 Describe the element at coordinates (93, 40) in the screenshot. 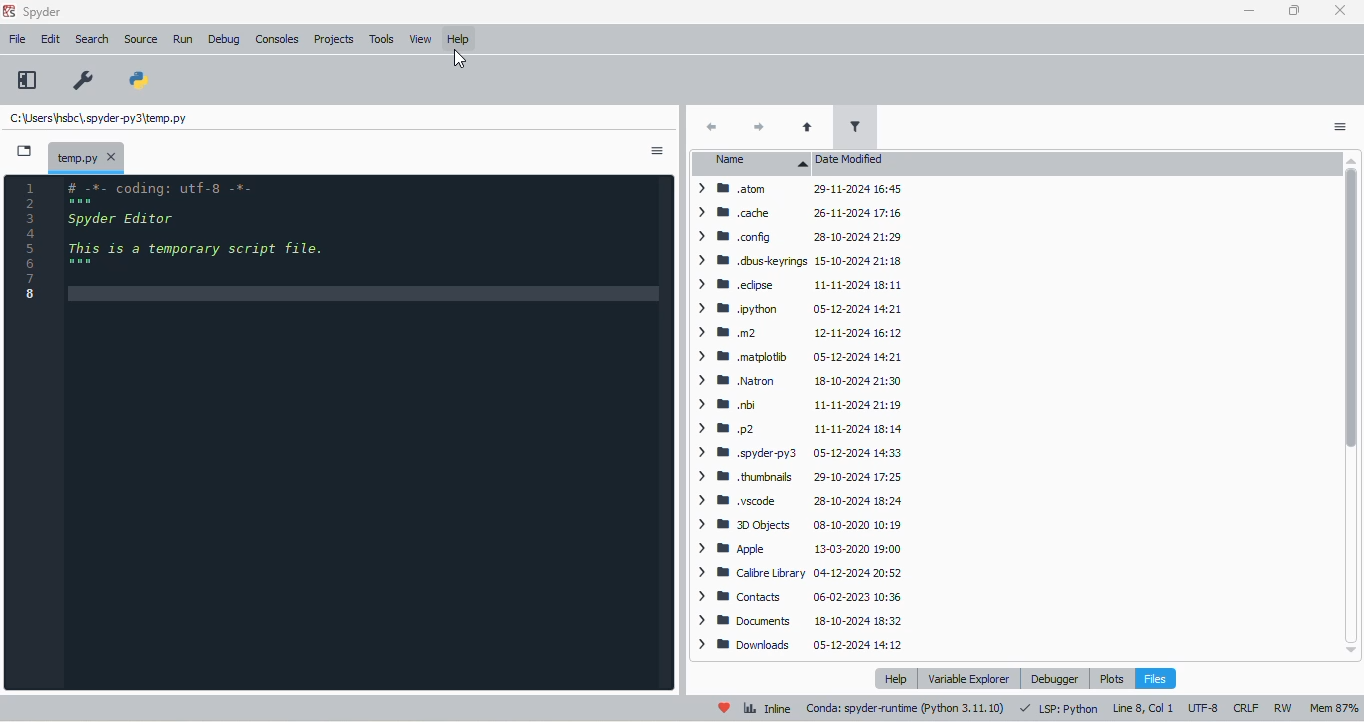

I see `search` at that location.